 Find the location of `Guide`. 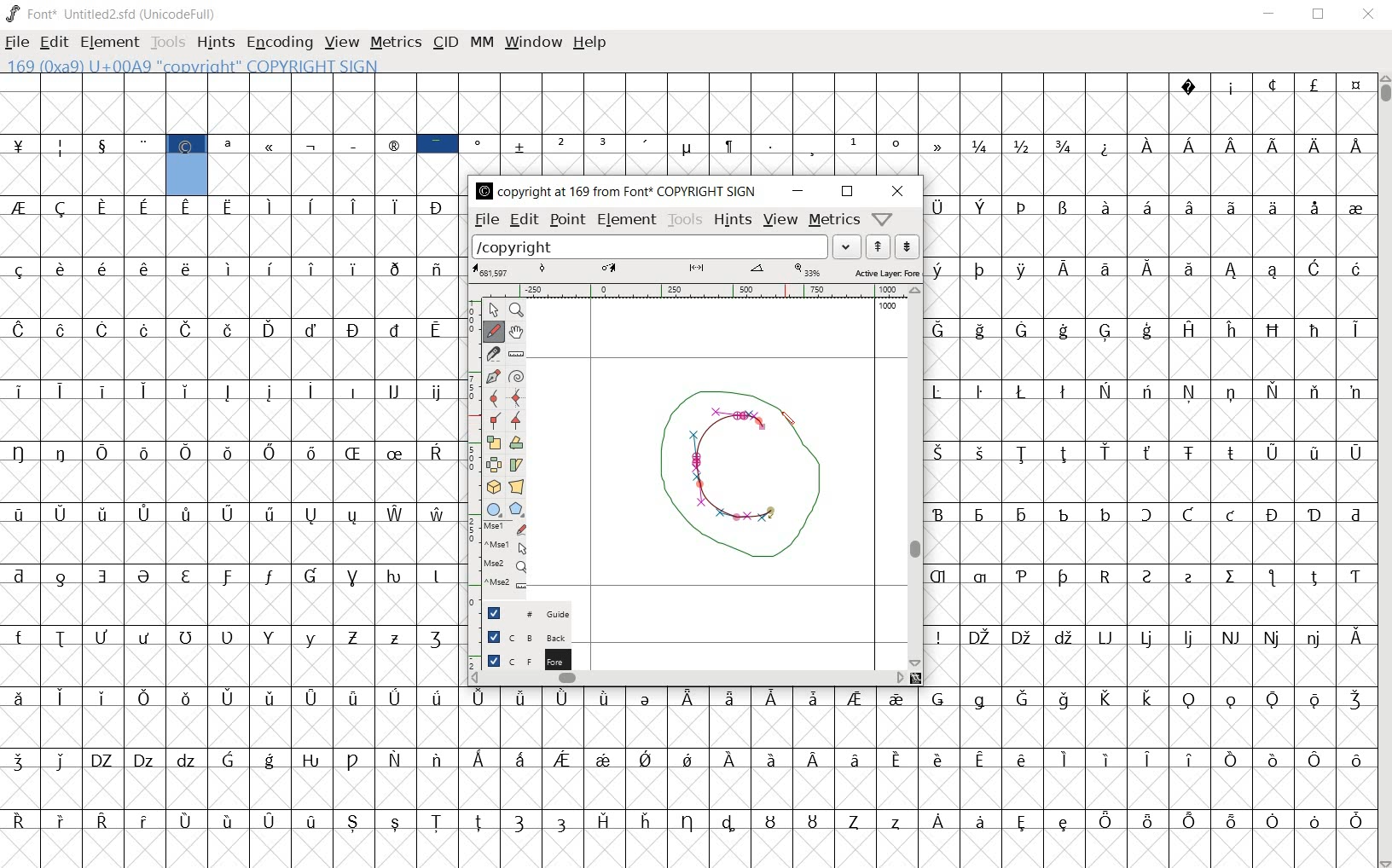

Guide is located at coordinates (521, 613).